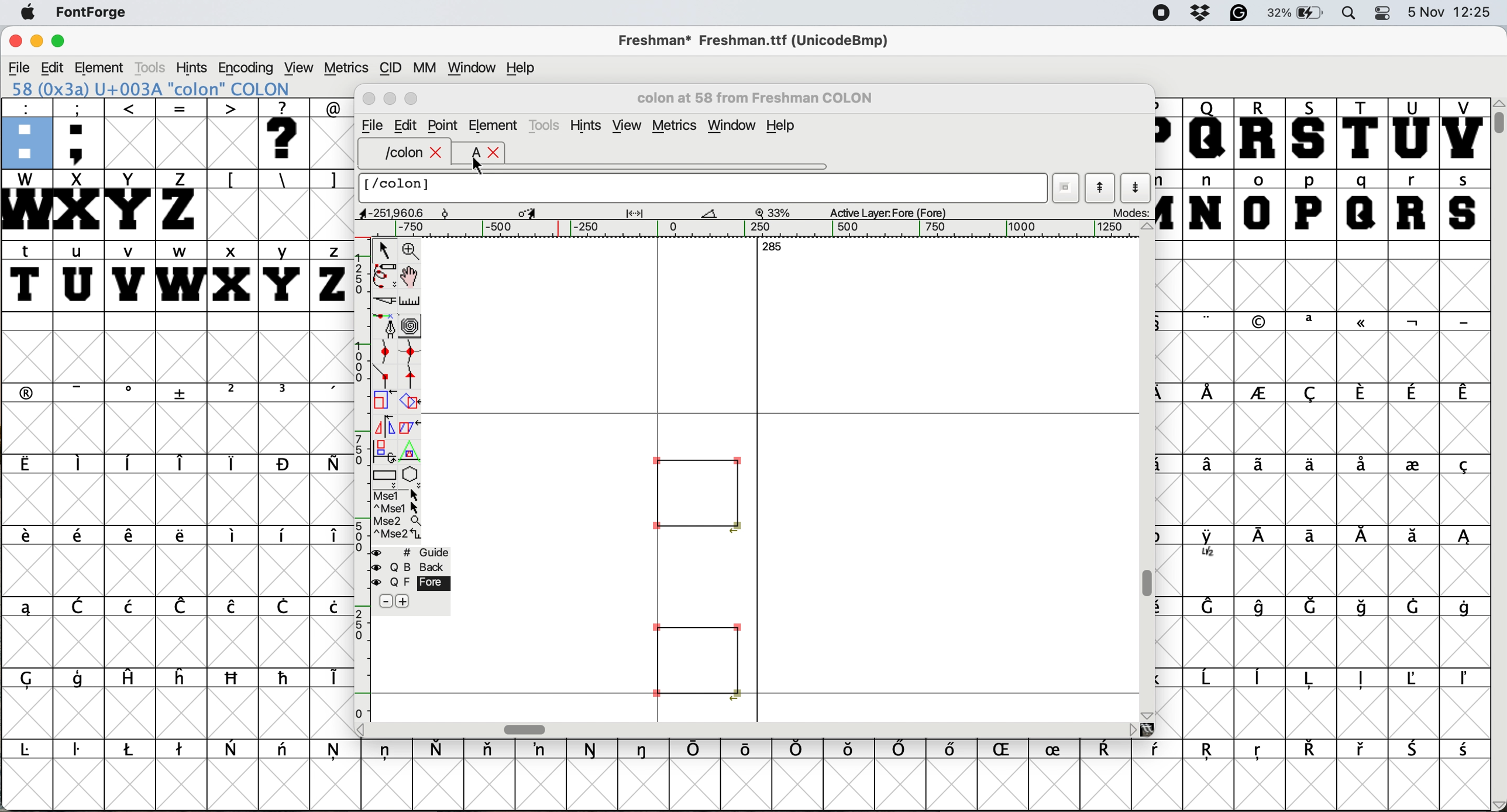 This screenshot has width=1507, height=812. I want to click on select, so click(382, 250).